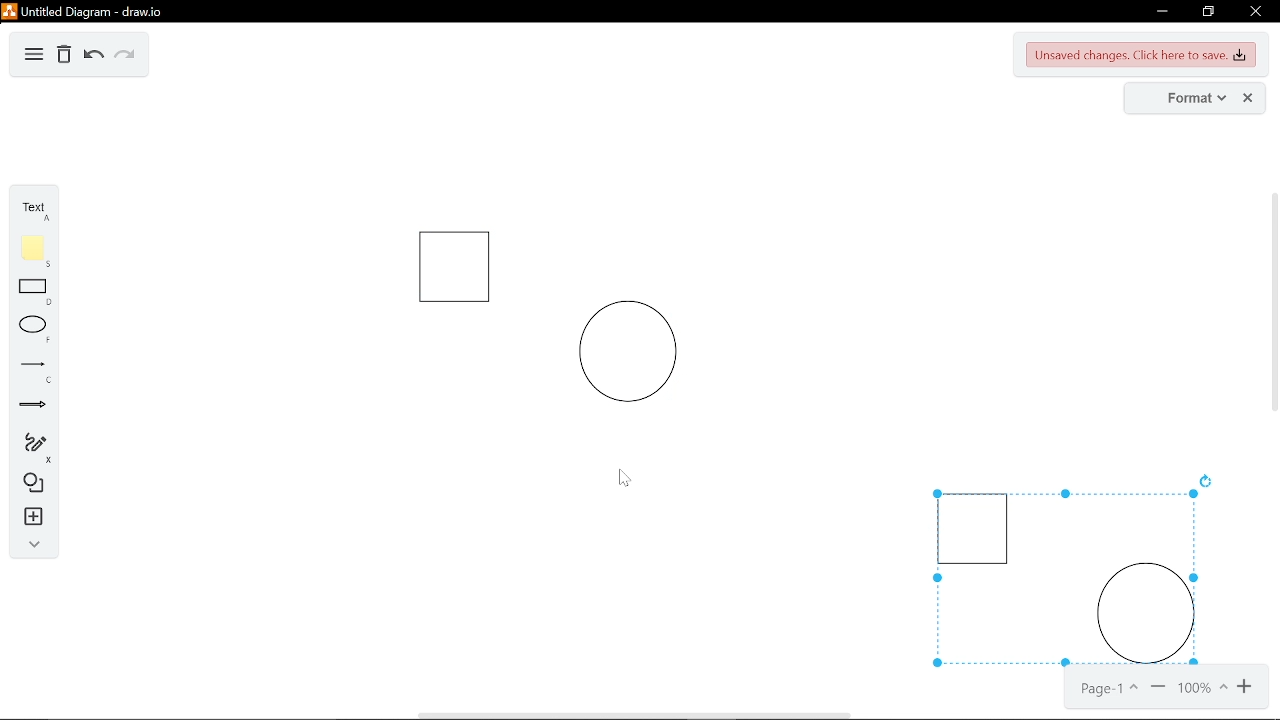 Image resolution: width=1280 pixels, height=720 pixels. I want to click on ellipse, so click(31, 330).